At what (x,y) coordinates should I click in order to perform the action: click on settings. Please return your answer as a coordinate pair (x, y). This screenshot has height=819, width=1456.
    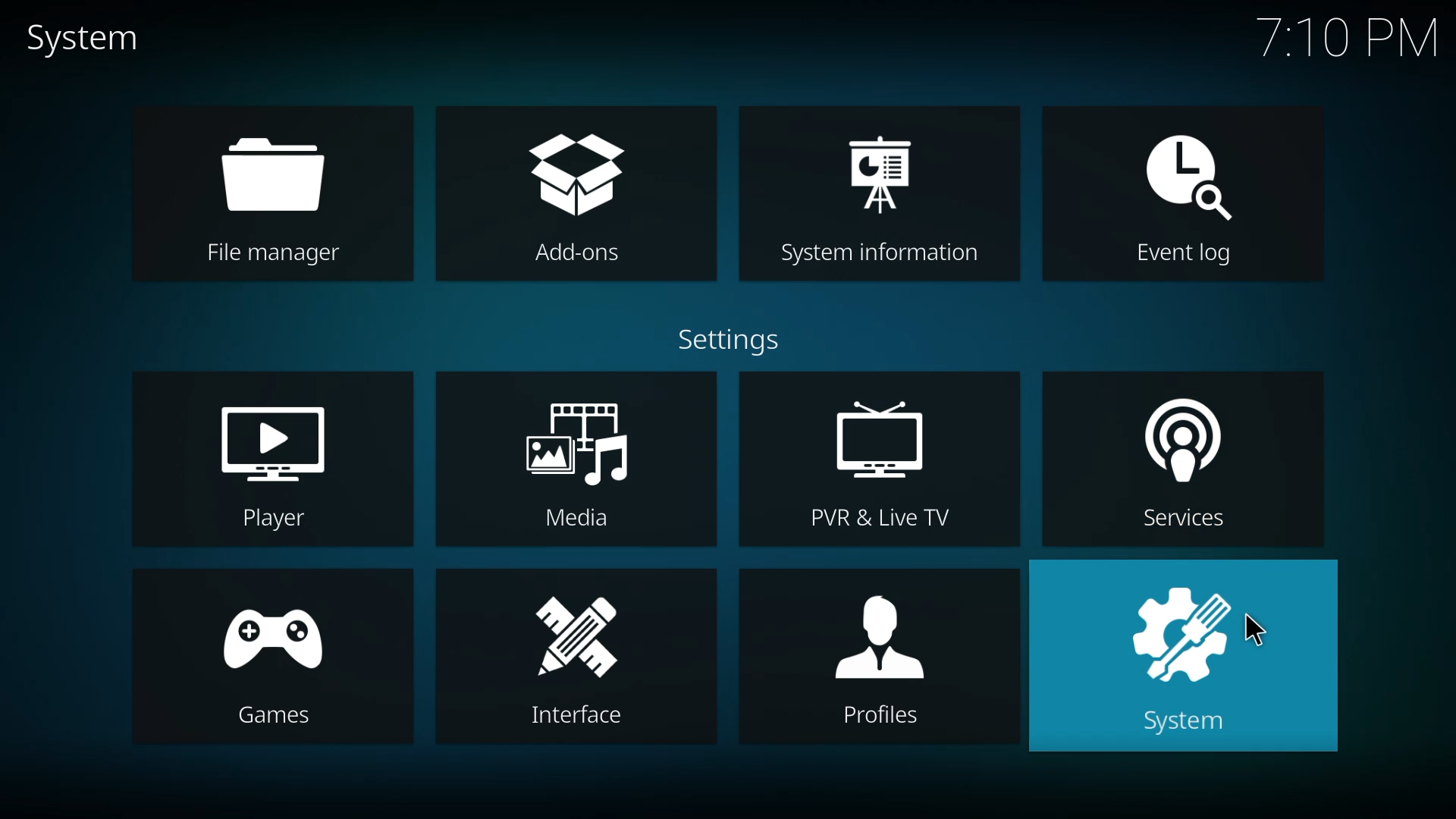
    Looking at the image, I should click on (723, 341).